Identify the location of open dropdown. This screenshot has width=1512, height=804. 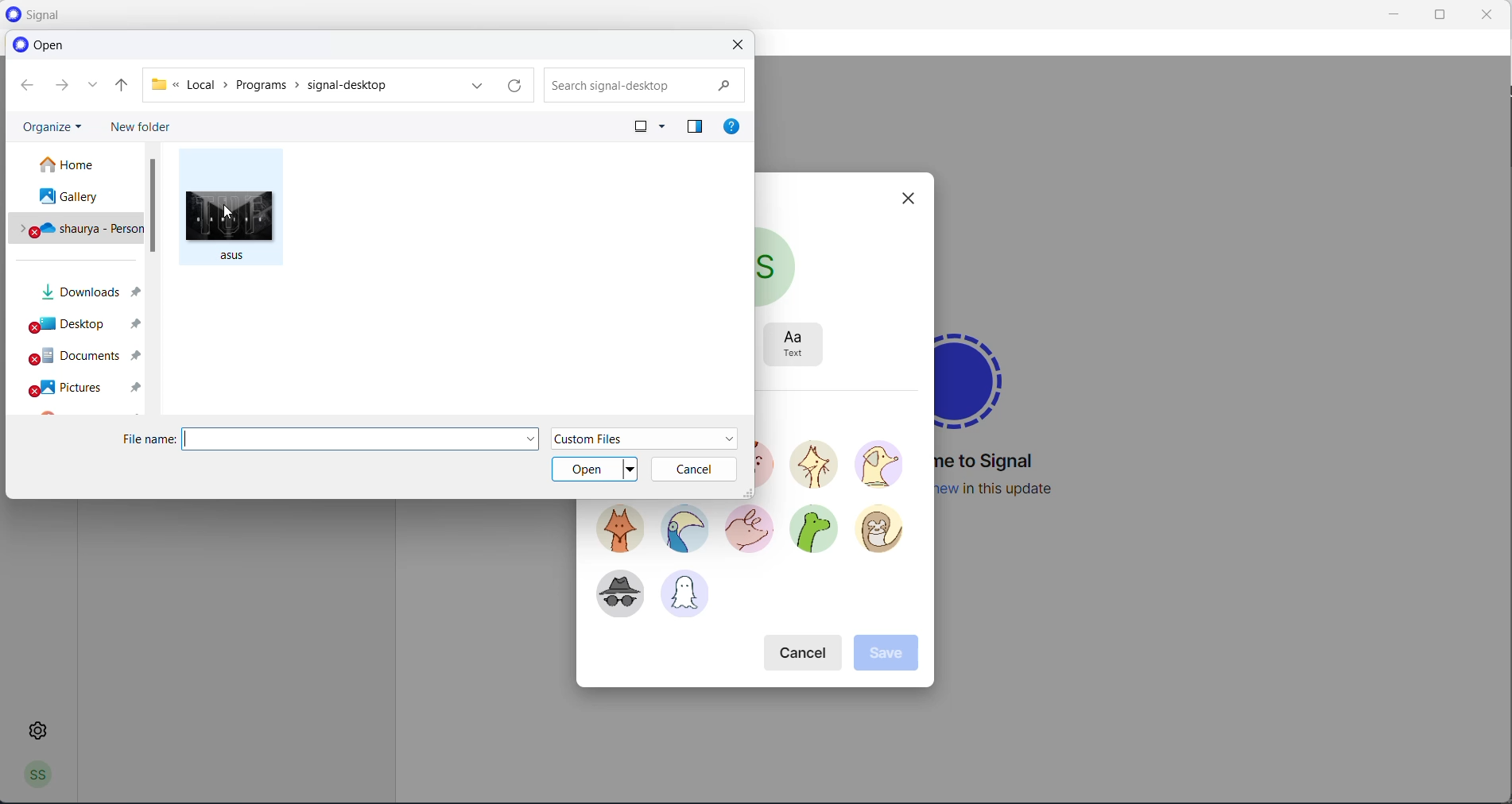
(631, 471).